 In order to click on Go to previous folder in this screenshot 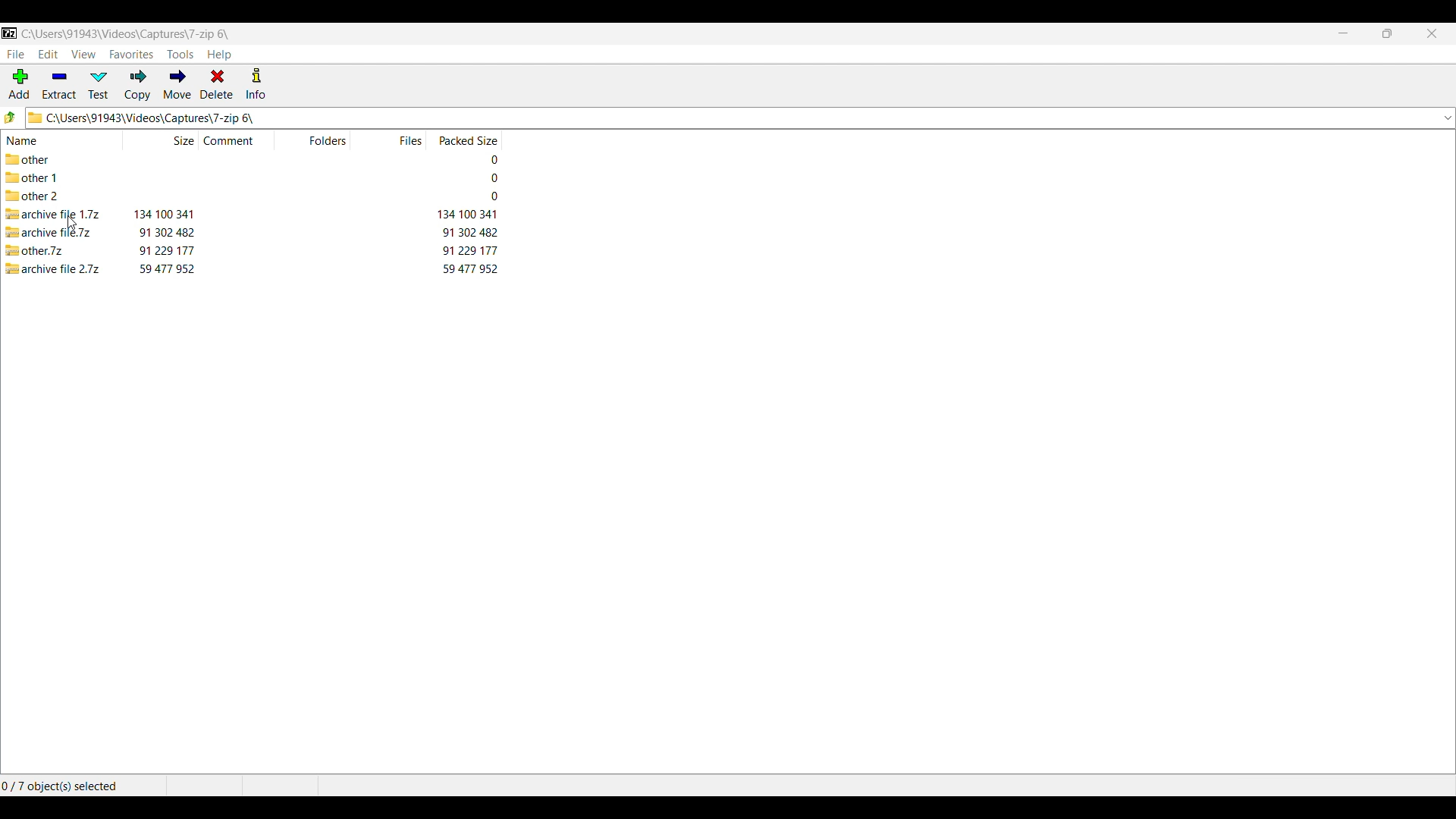, I will do `click(11, 117)`.